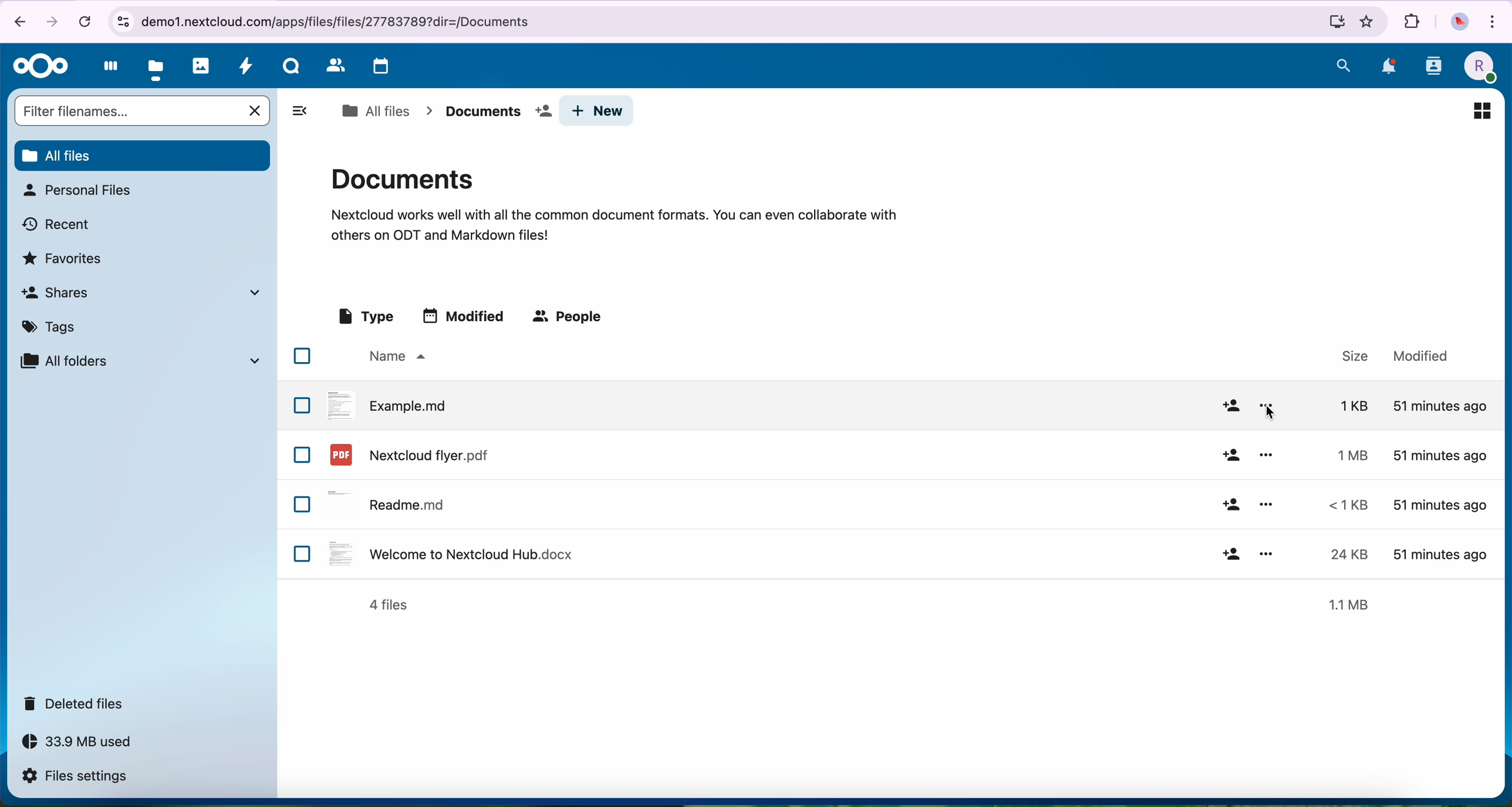  What do you see at coordinates (1481, 109) in the screenshot?
I see `preview` at bounding box center [1481, 109].